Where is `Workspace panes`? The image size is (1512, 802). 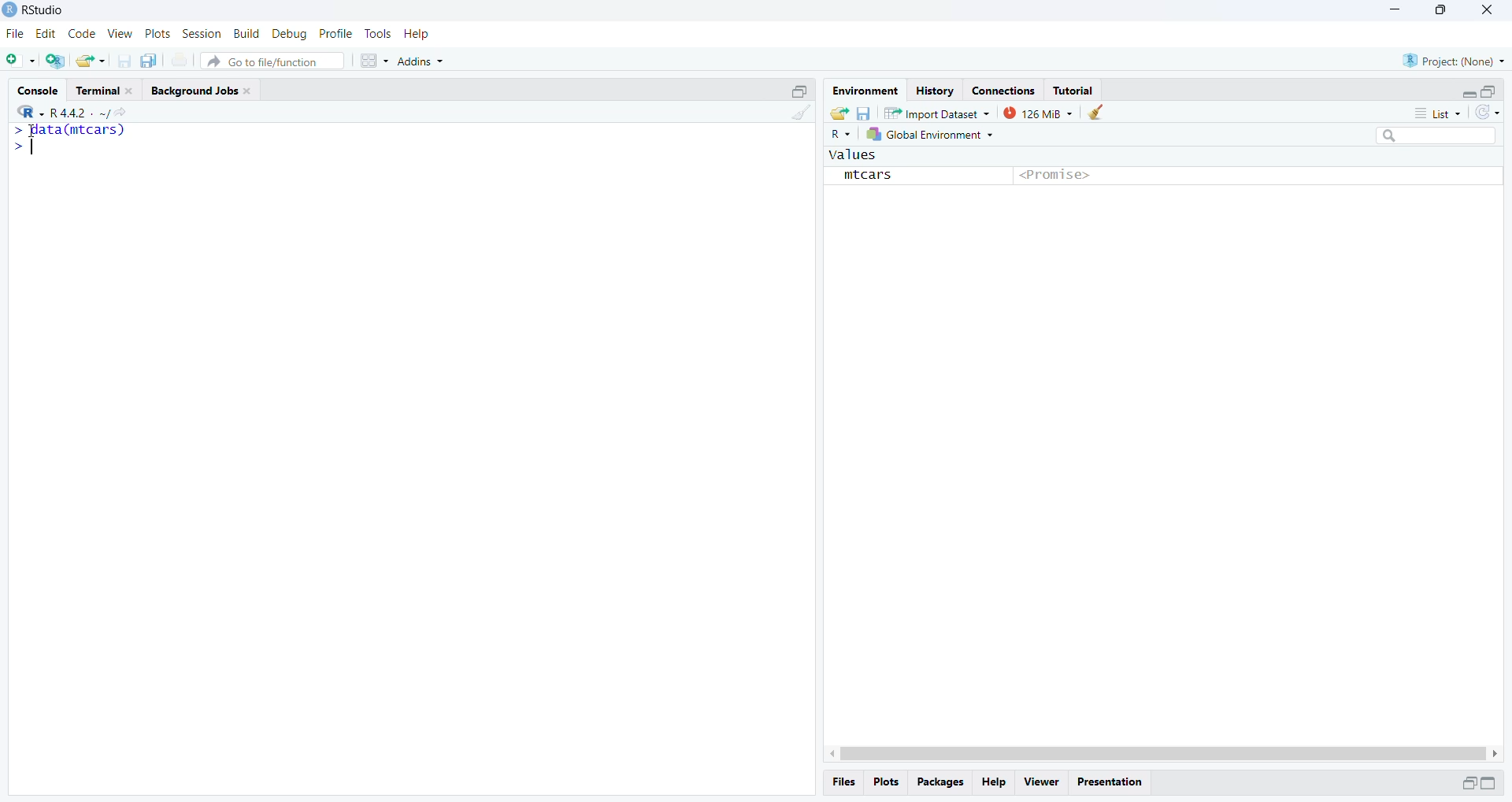 Workspace panes is located at coordinates (374, 61).